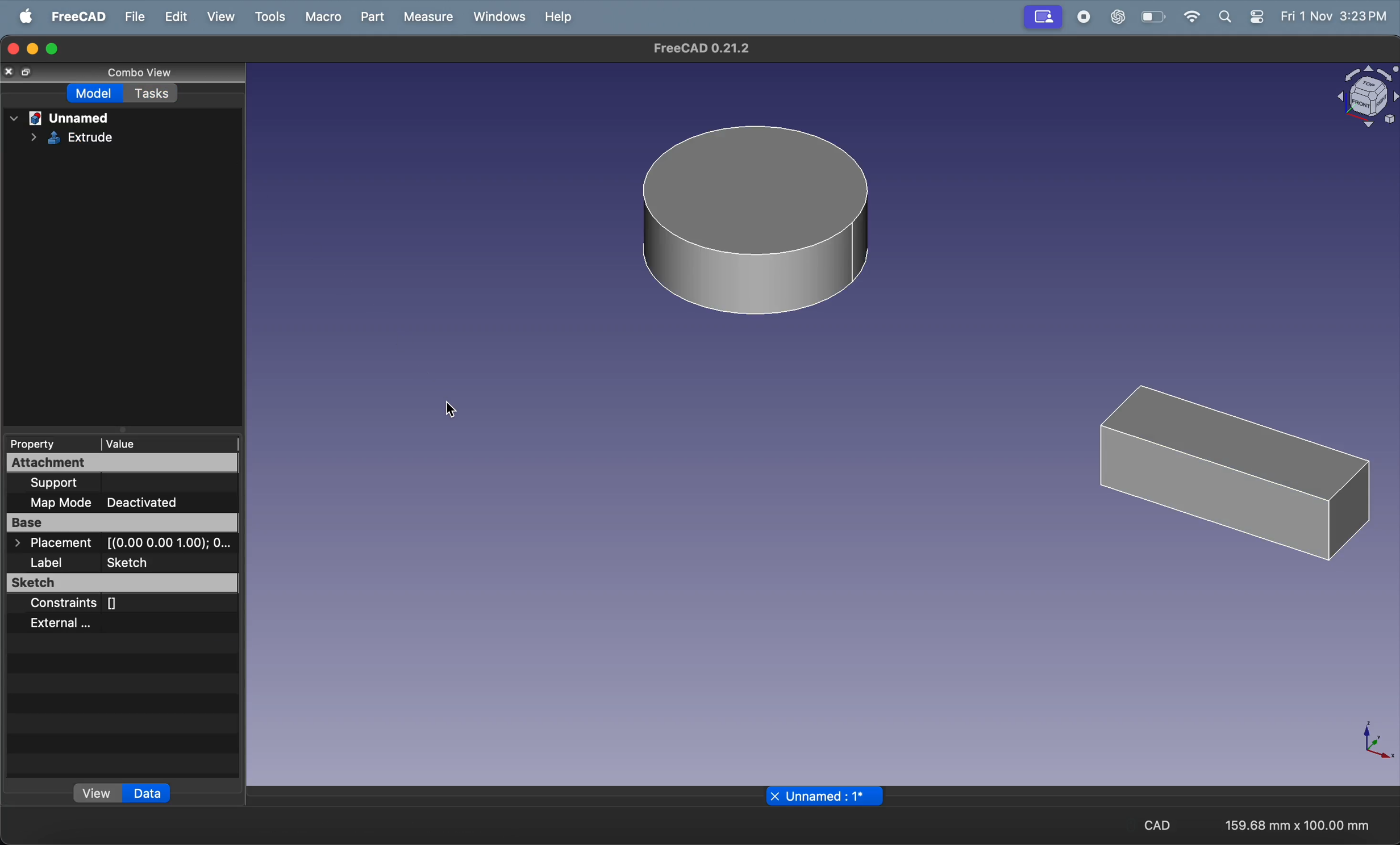 Image resolution: width=1400 pixels, height=845 pixels. What do you see at coordinates (819, 797) in the screenshot?
I see `file name` at bounding box center [819, 797].